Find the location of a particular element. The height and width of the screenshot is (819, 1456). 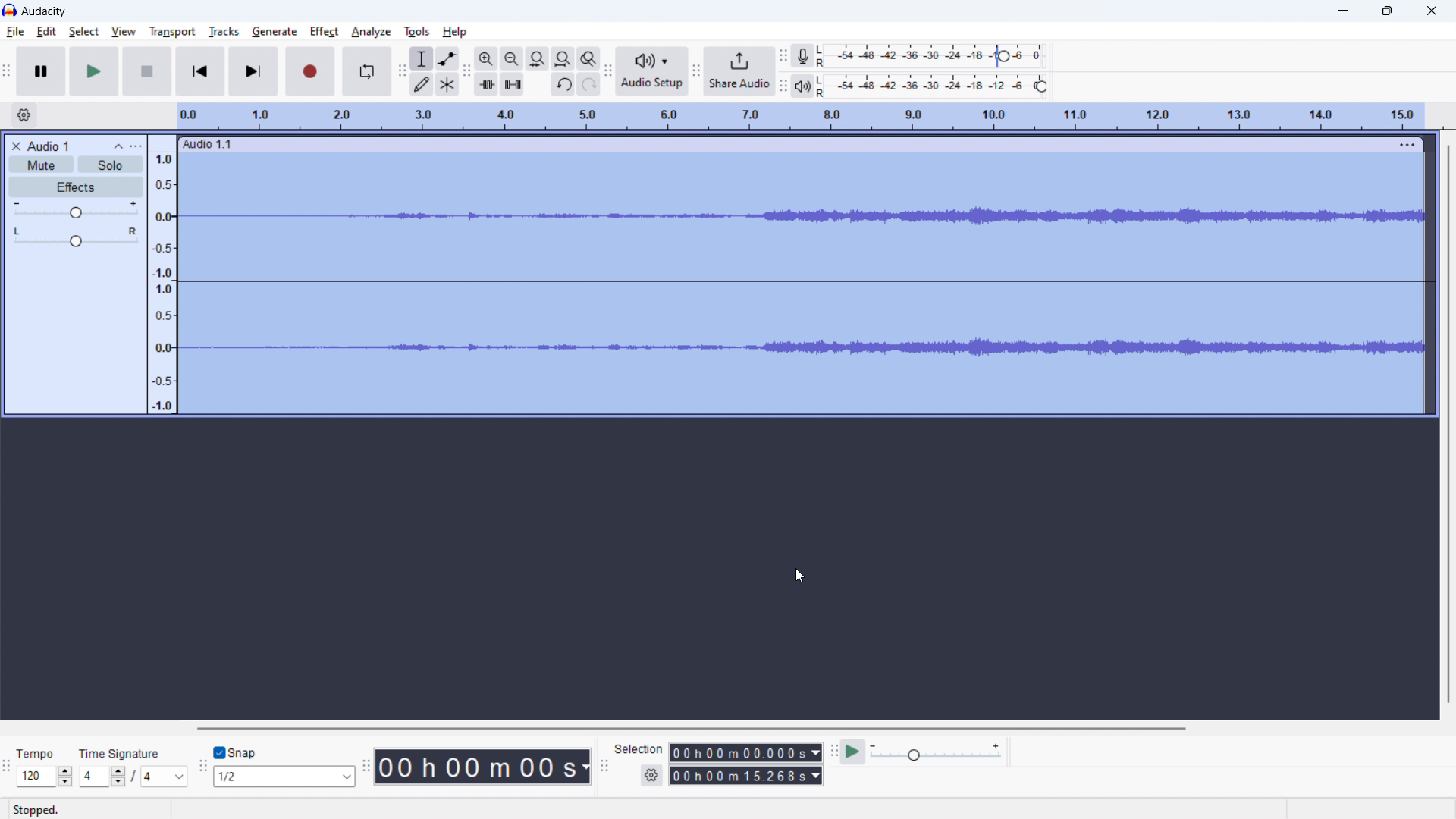

playback meter is located at coordinates (802, 86).